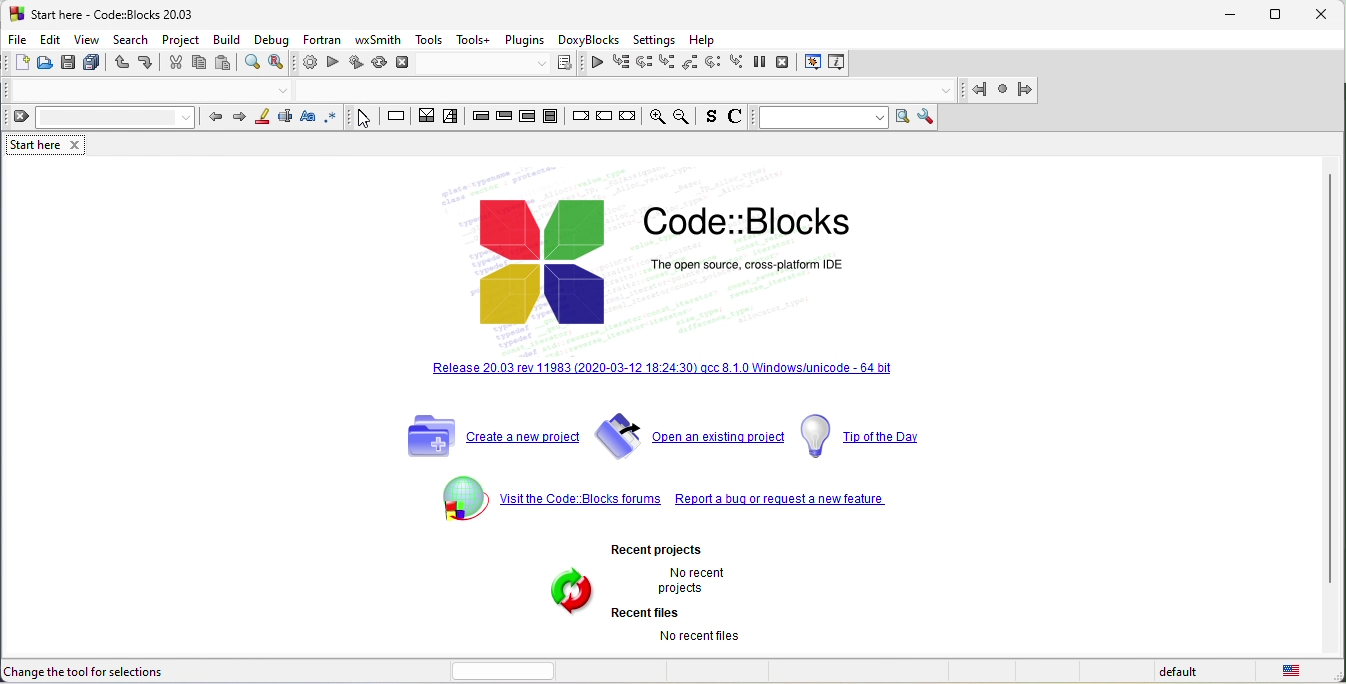  Describe the element at coordinates (320, 39) in the screenshot. I see `fortran` at that location.